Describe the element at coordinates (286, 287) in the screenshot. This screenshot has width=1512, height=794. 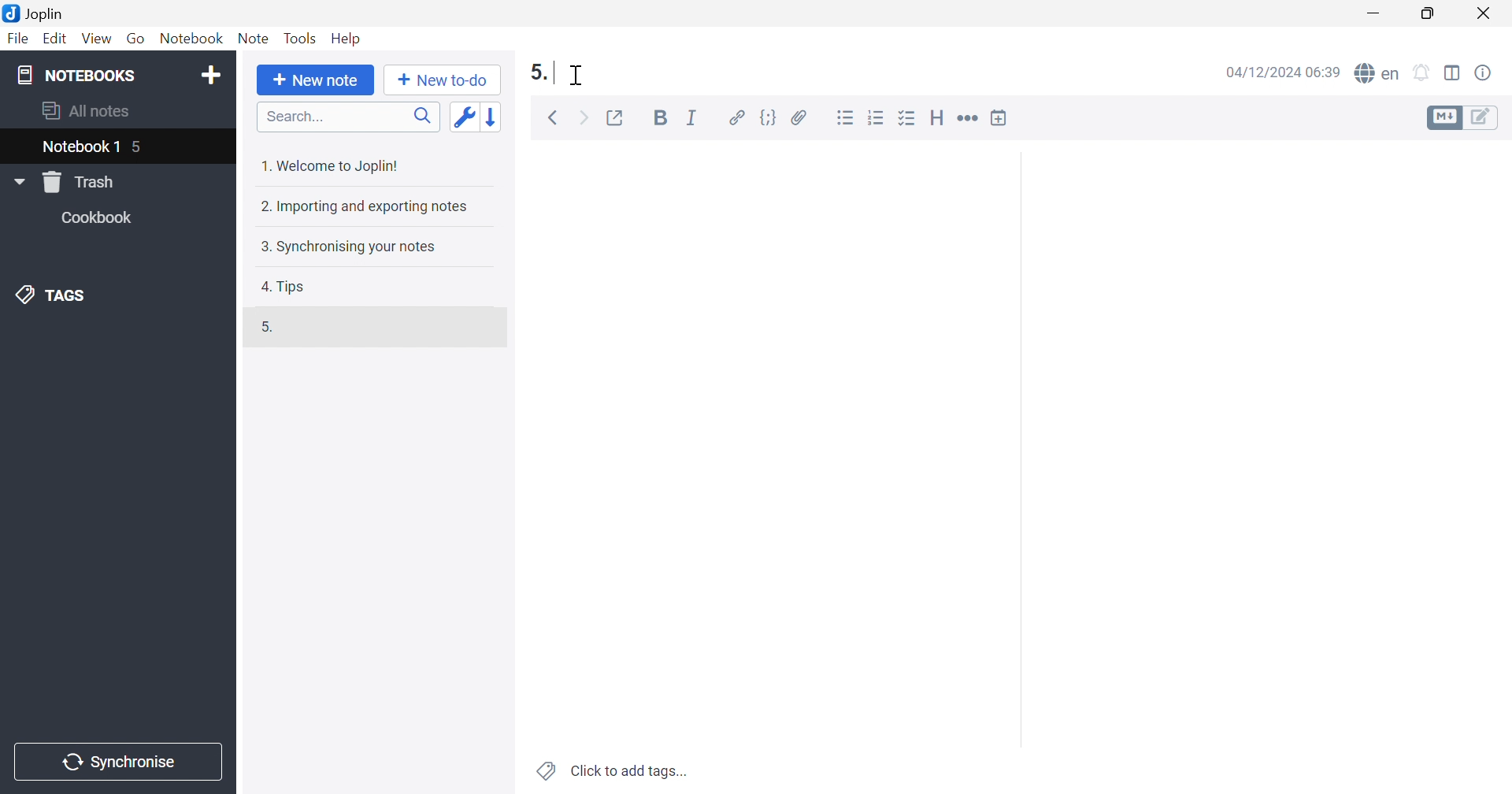
I see `4. Tips` at that location.